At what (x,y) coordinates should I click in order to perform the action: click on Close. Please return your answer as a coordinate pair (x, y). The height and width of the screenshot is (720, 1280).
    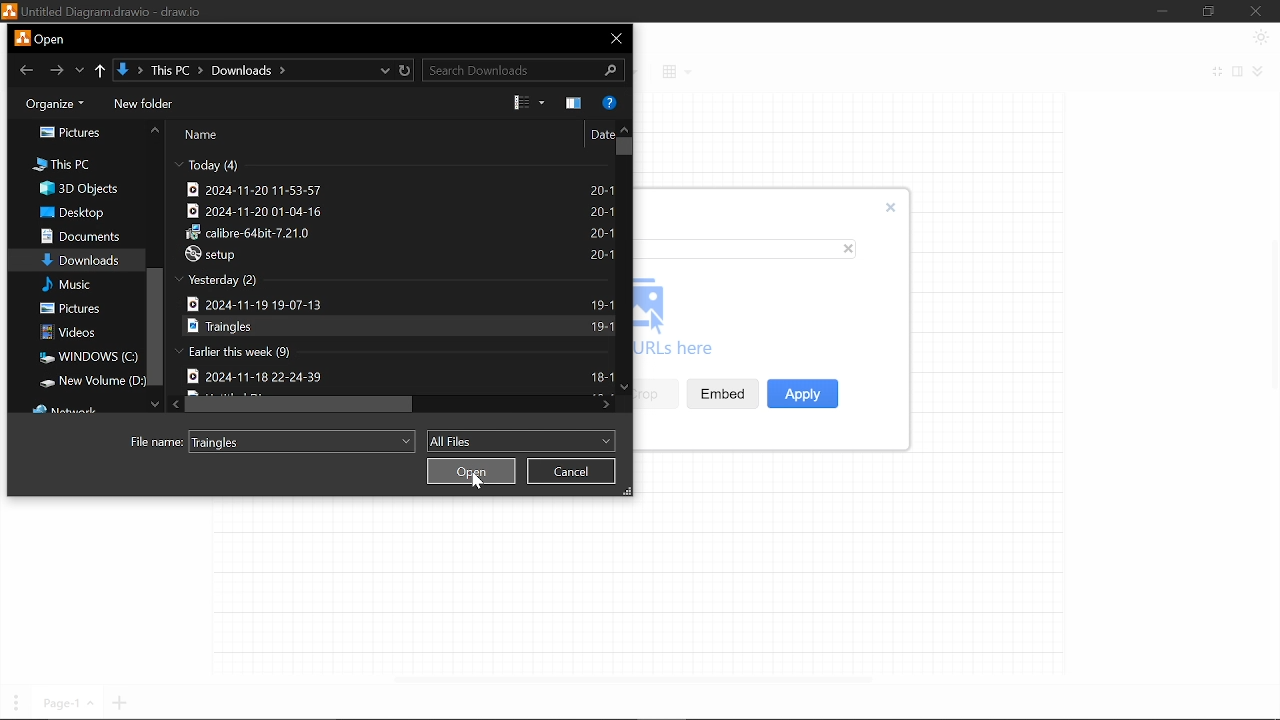
    Looking at the image, I should click on (616, 37).